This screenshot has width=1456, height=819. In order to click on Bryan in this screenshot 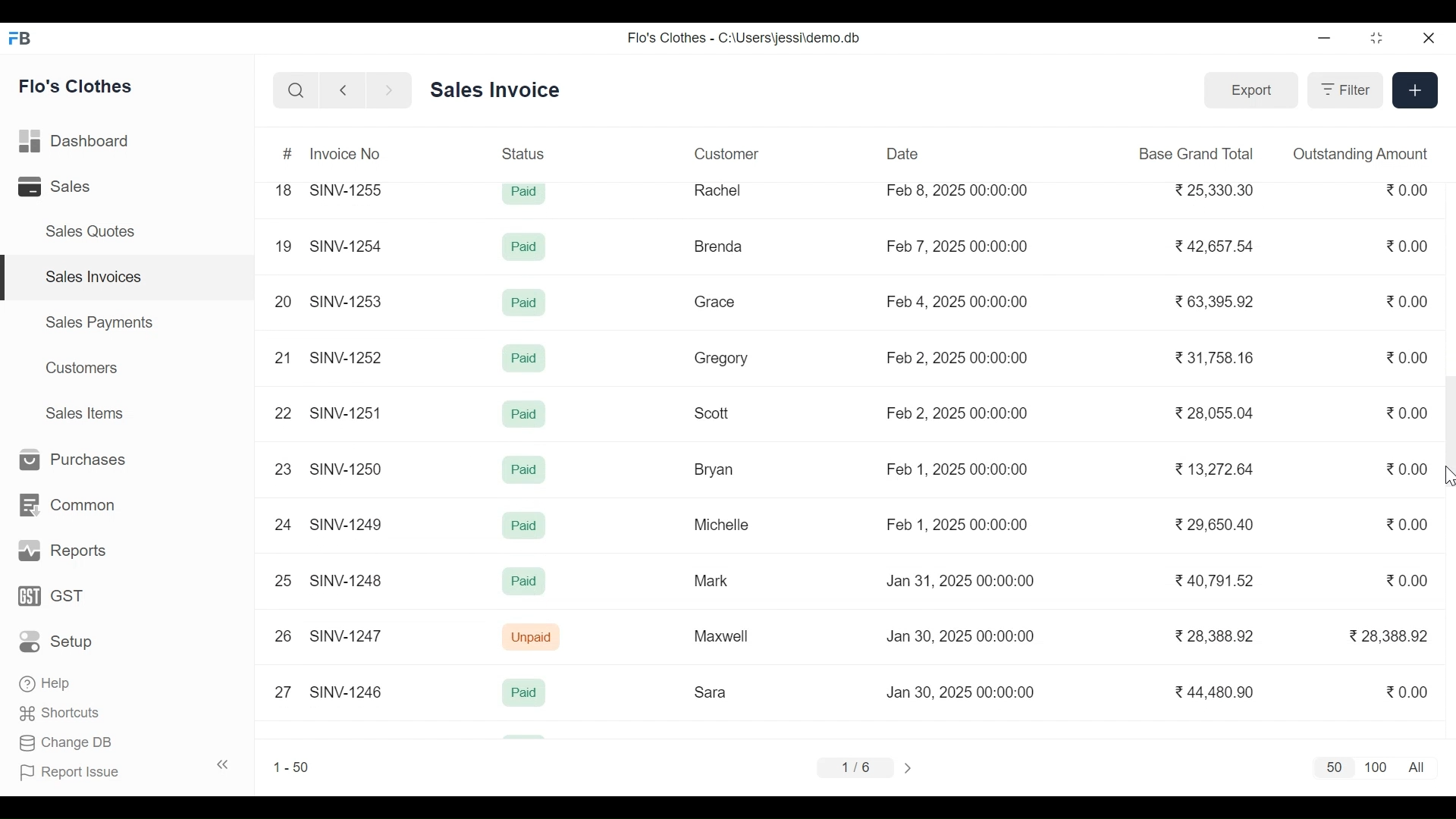, I will do `click(717, 469)`.